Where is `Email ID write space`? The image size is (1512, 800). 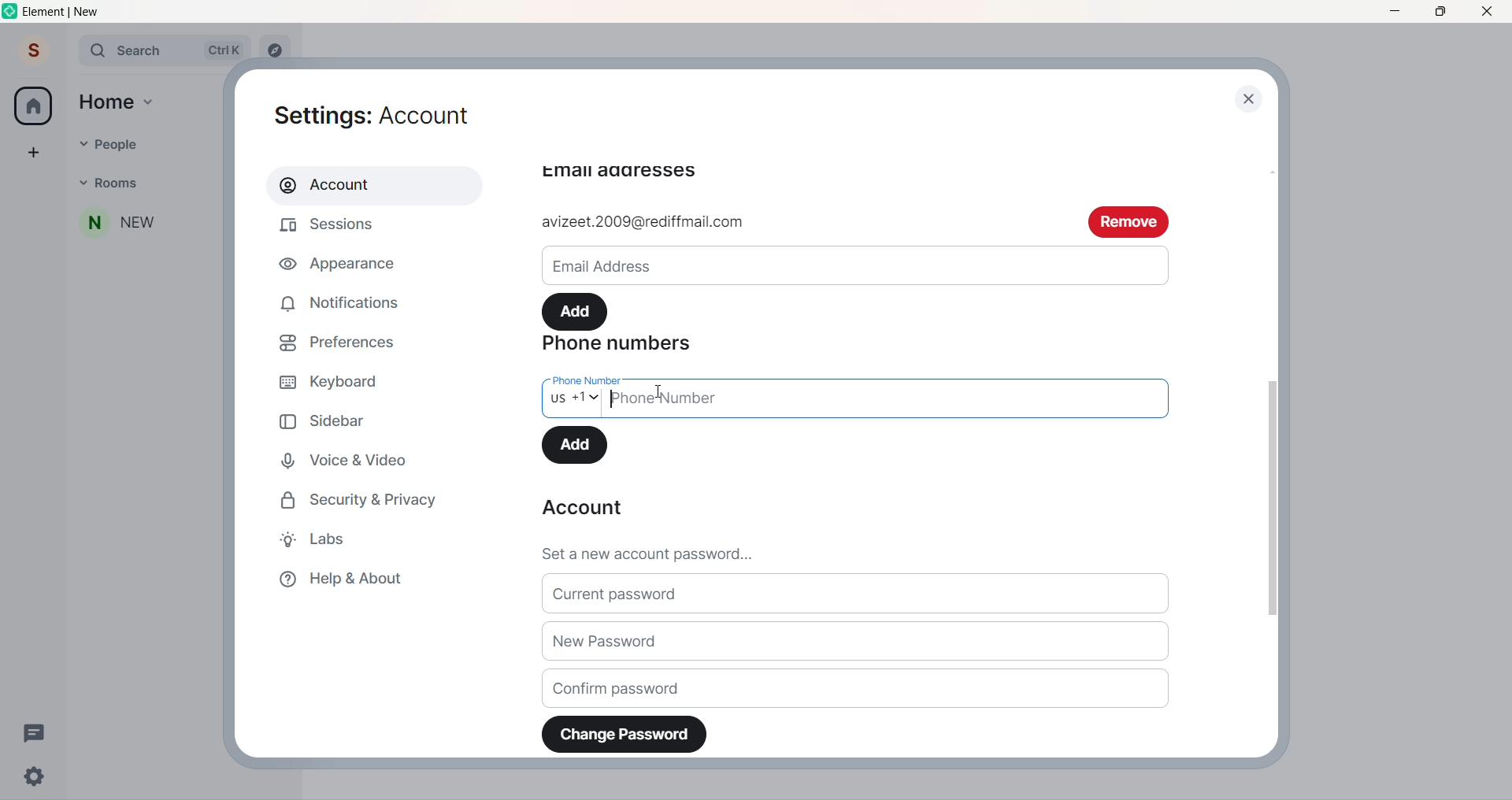 Email ID write space is located at coordinates (854, 263).